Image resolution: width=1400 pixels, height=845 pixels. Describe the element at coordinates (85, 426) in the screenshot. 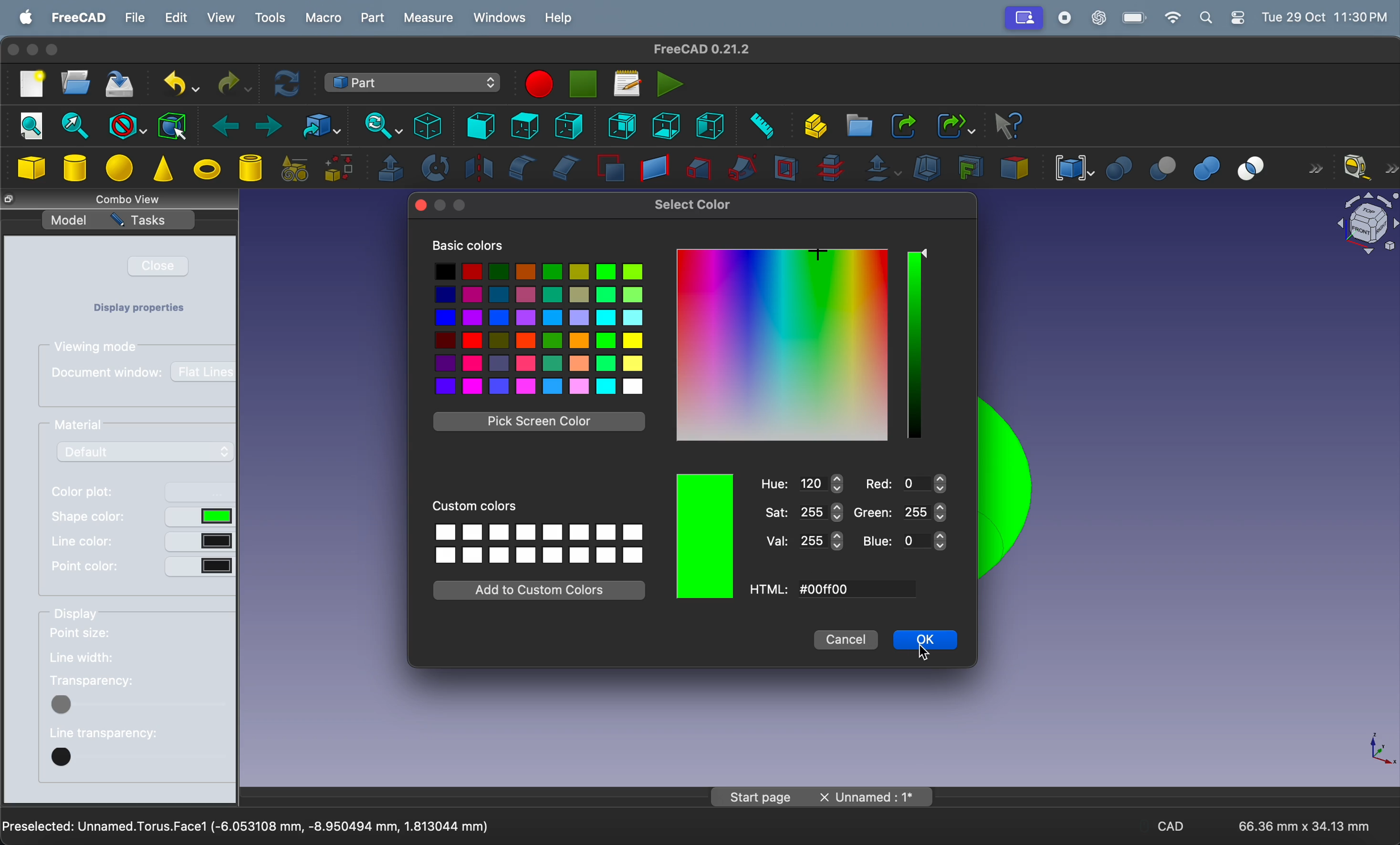

I see `material` at that location.